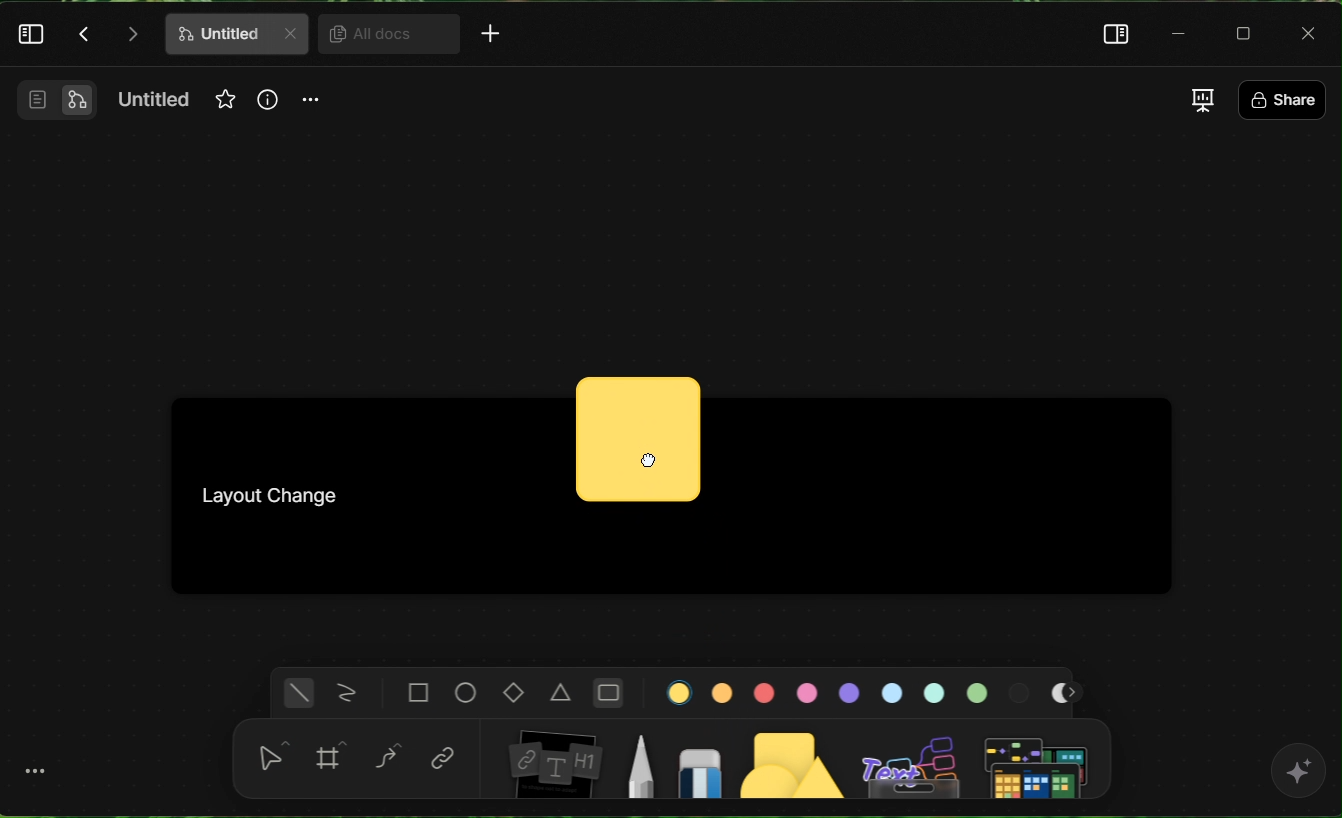  What do you see at coordinates (1281, 98) in the screenshot?
I see `share` at bounding box center [1281, 98].